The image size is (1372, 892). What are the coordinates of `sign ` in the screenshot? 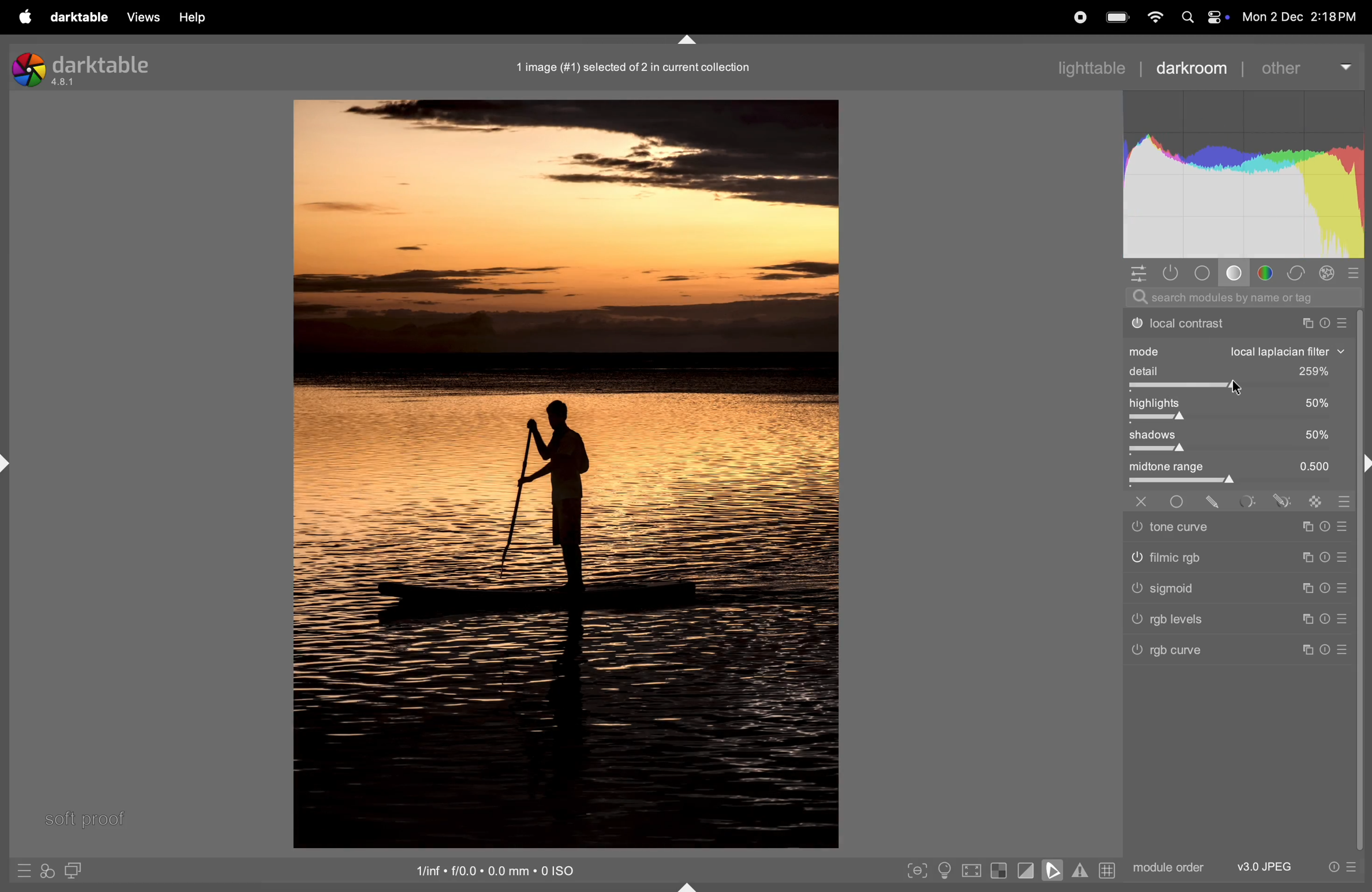 It's located at (1324, 589).